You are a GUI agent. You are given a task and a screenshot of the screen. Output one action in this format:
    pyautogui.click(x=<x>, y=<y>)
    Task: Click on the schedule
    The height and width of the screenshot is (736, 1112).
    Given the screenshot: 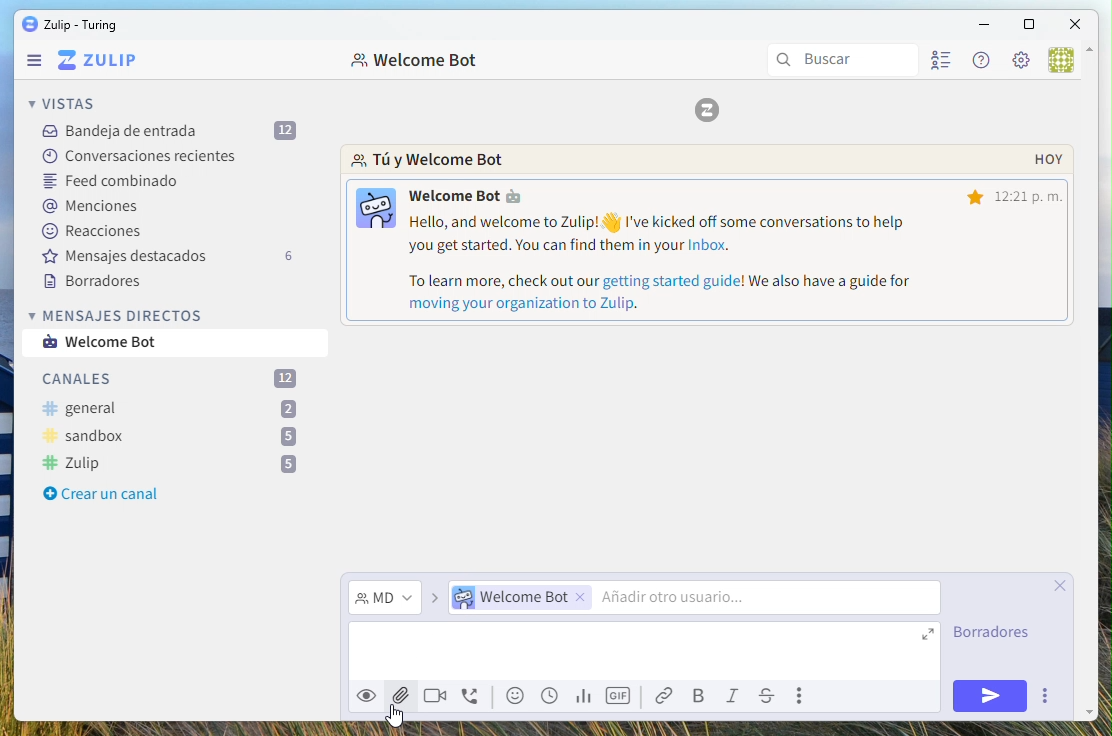 What is the action you would take?
    pyautogui.click(x=550, y=696)
    